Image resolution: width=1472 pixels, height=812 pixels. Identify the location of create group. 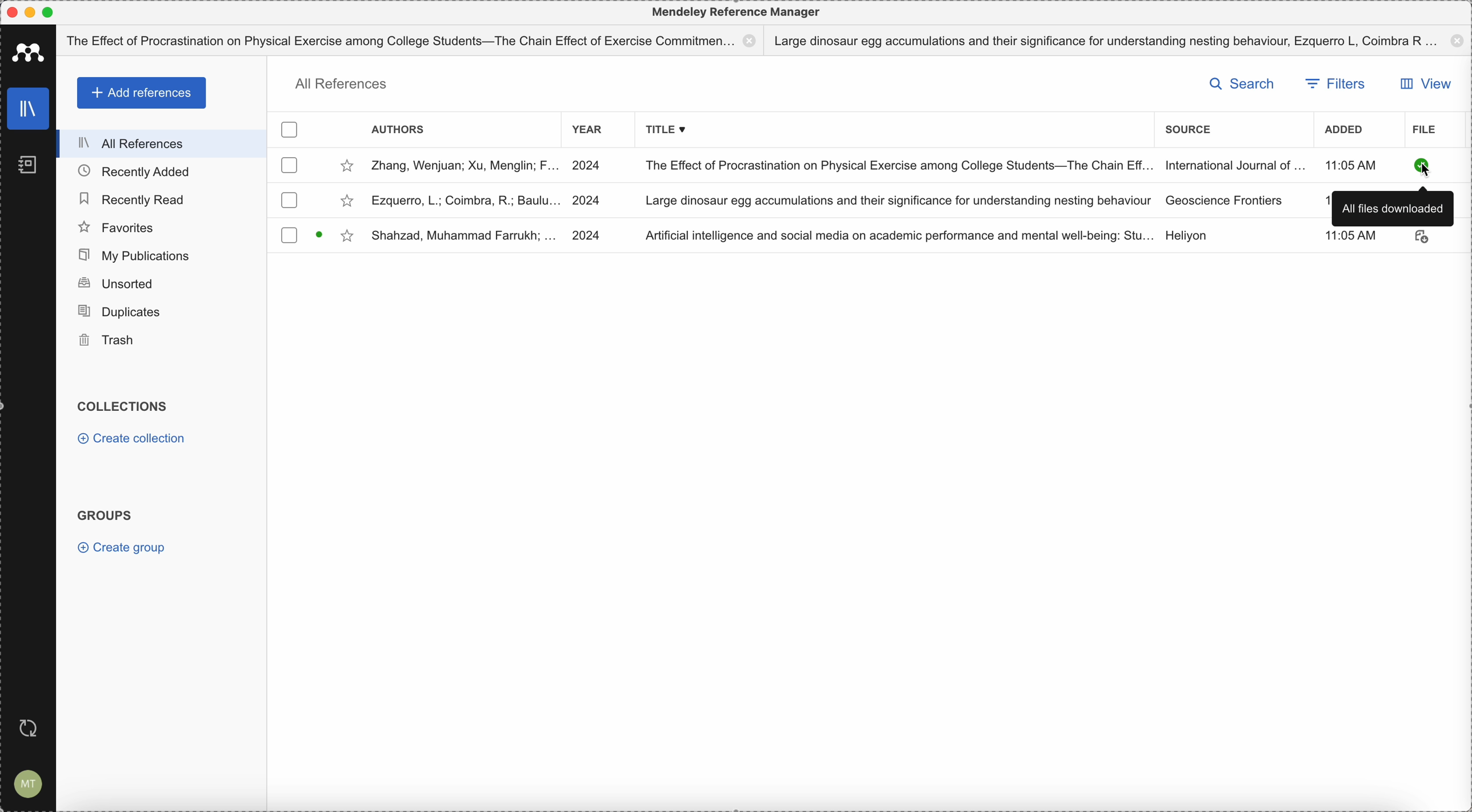
(125, 548).